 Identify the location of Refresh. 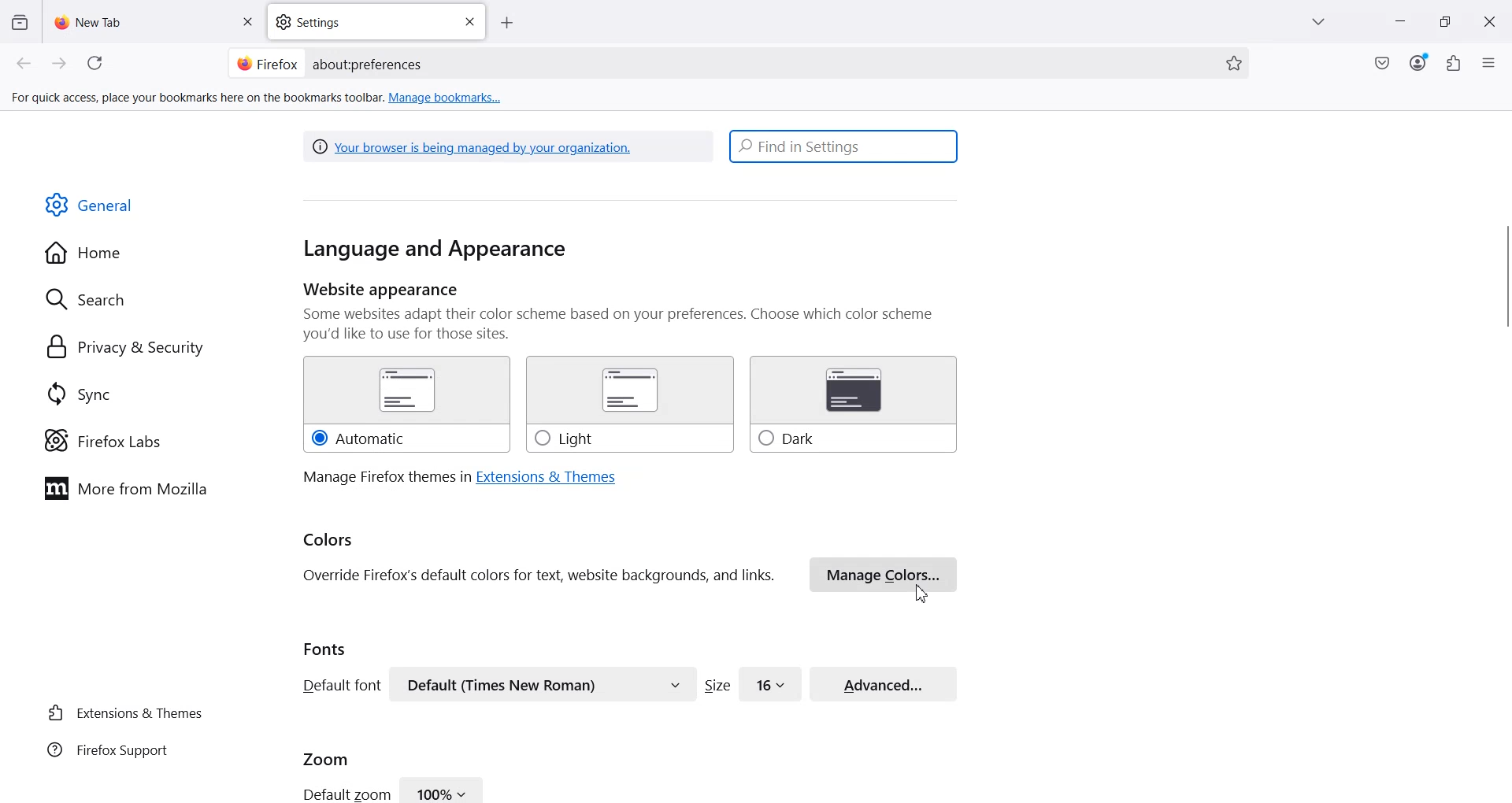
(98, 64).